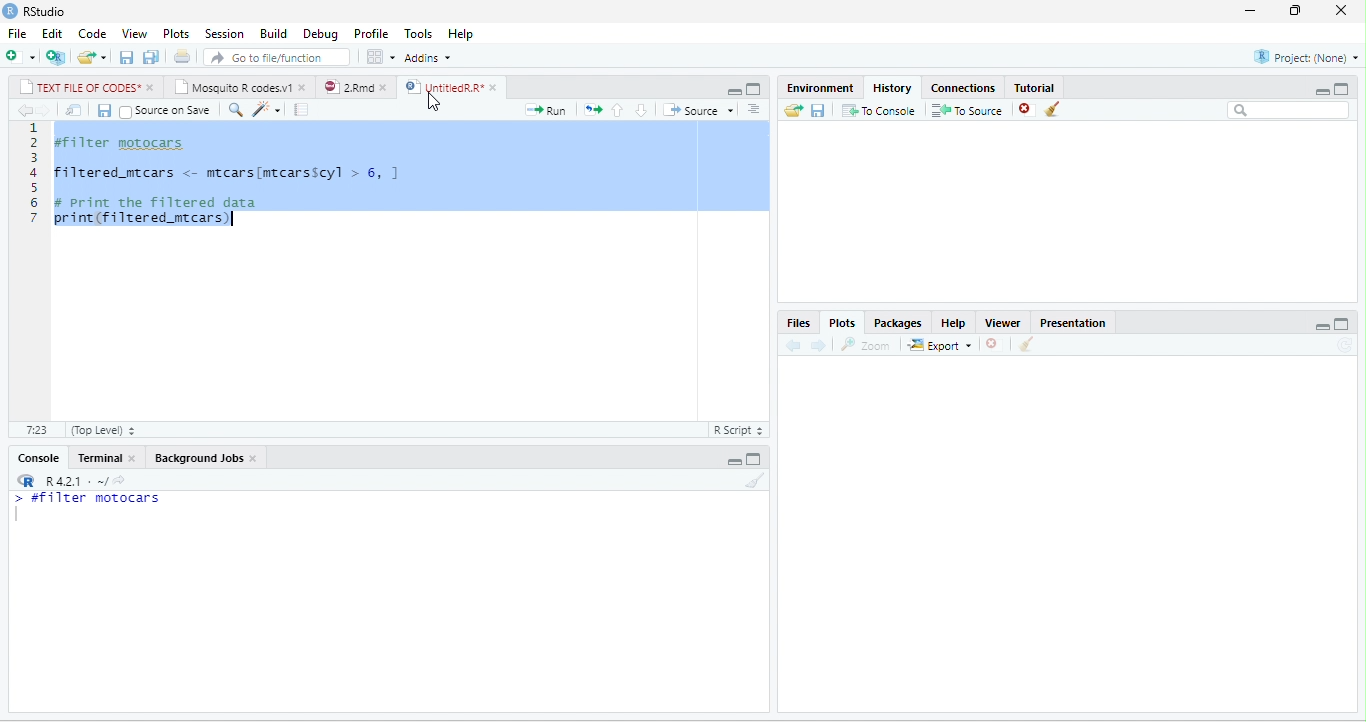  Describe the element at coordinates (55, 57) in the screenshot. I see `new project` at that location.